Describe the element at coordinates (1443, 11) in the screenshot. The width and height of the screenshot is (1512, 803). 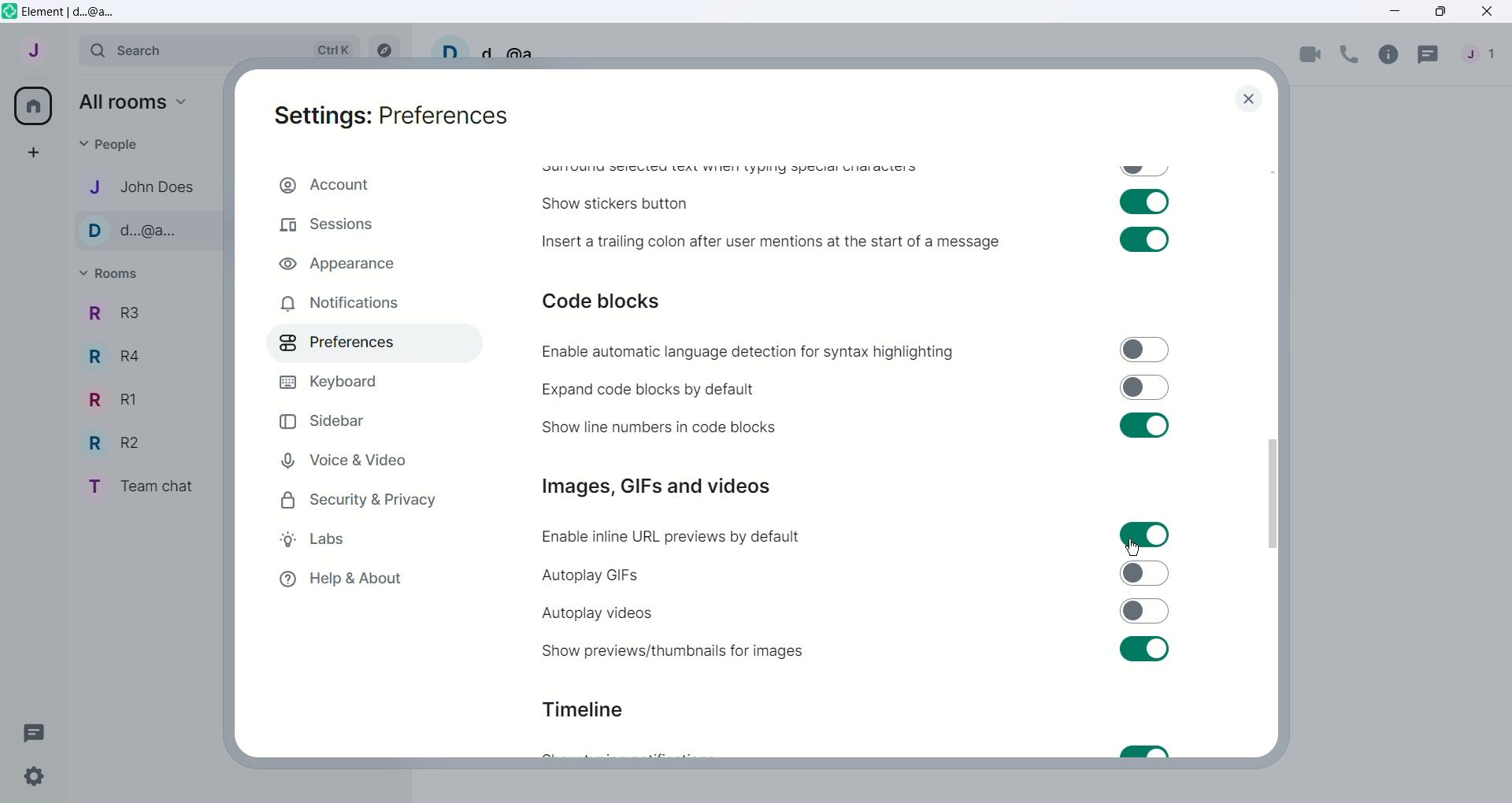
I see `Maximize` at that location.